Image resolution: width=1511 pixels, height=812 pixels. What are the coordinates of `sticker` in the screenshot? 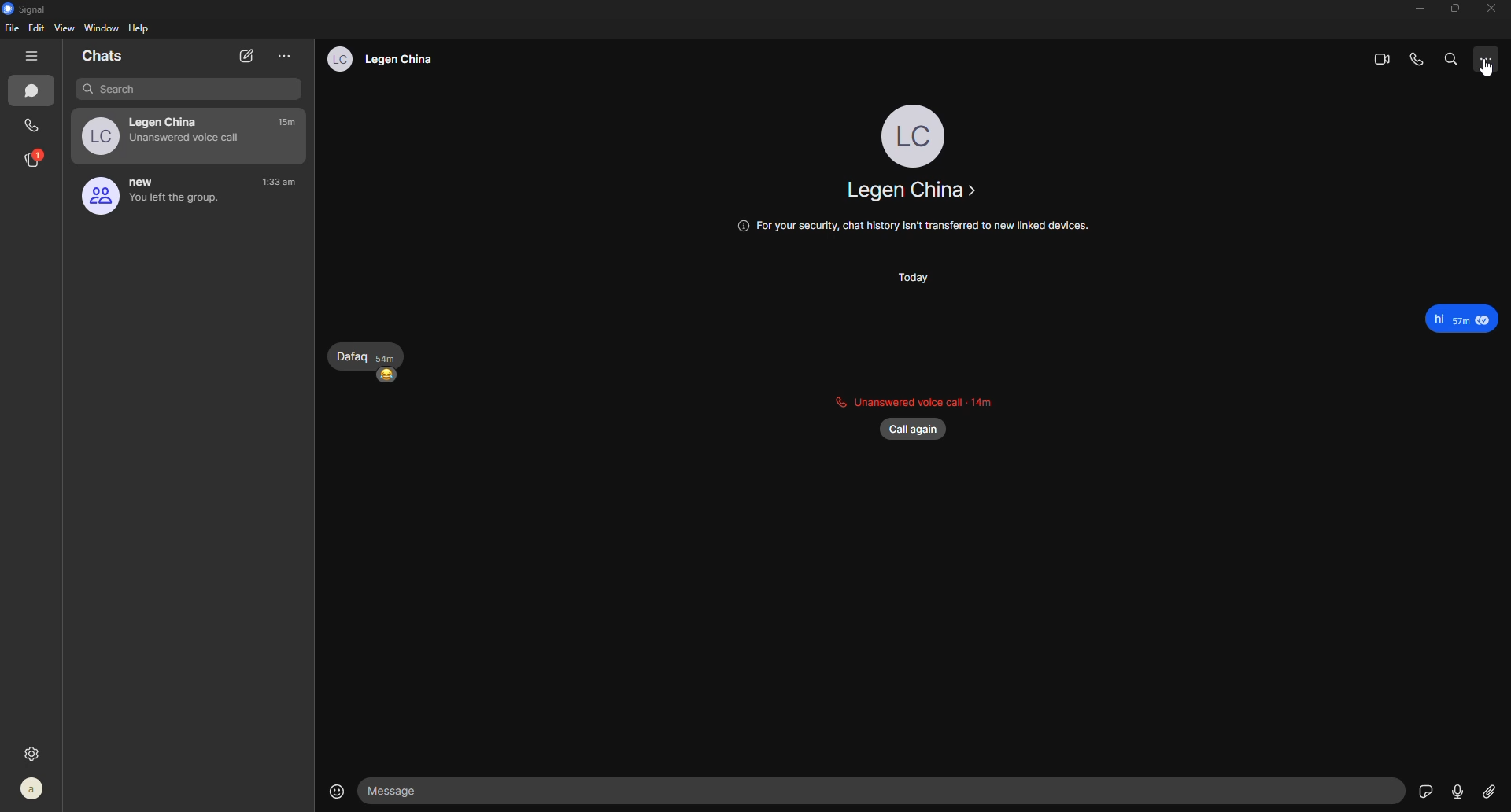 It's located at (1422, 791).